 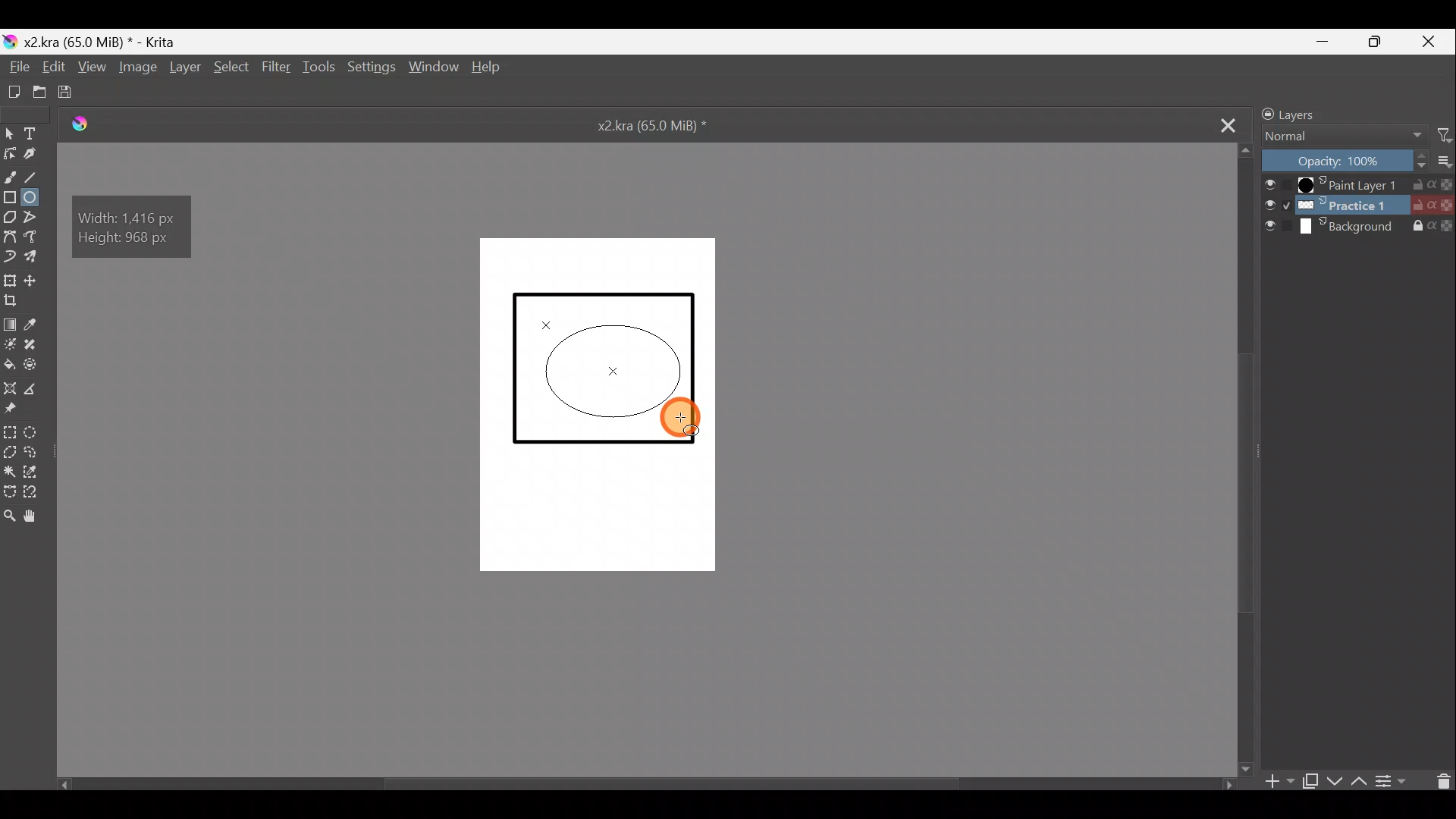 What do you see at coordinates (633, 781) in the screenshot?
I see `Scroll bar` at bounding box center [633, 781].